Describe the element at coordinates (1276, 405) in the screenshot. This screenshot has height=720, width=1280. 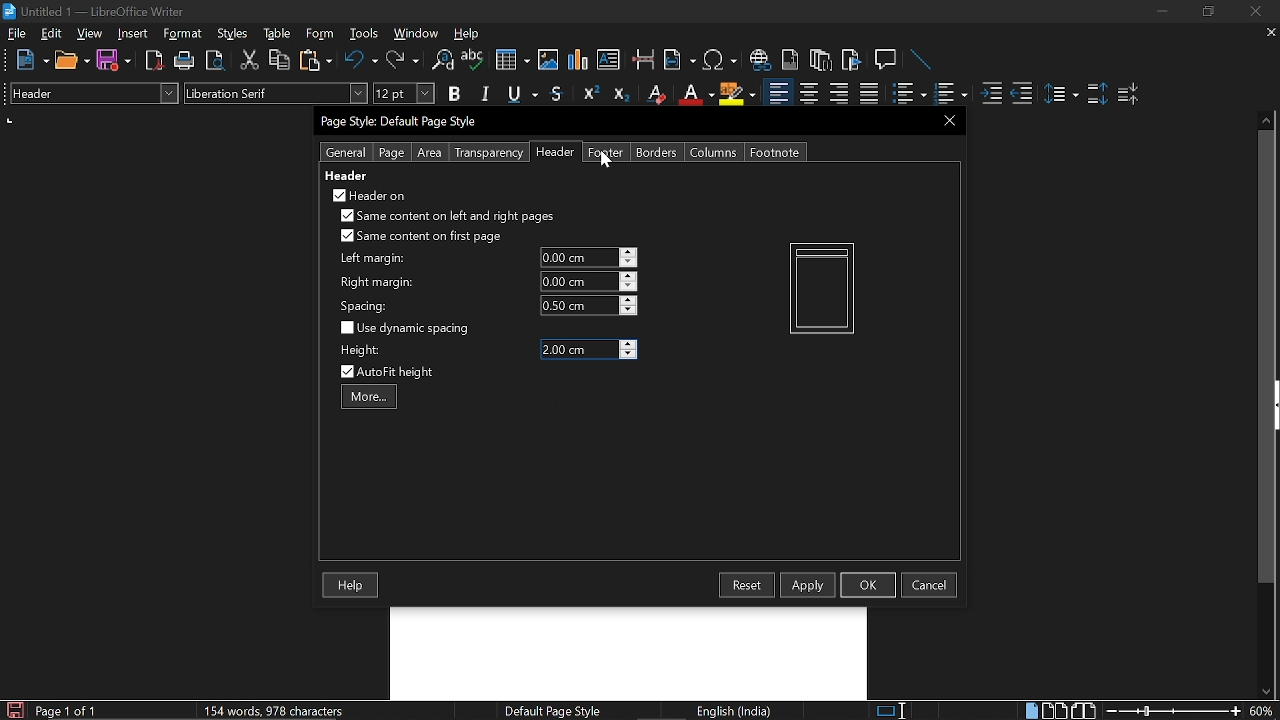
I see `sidebar menu` at that location.